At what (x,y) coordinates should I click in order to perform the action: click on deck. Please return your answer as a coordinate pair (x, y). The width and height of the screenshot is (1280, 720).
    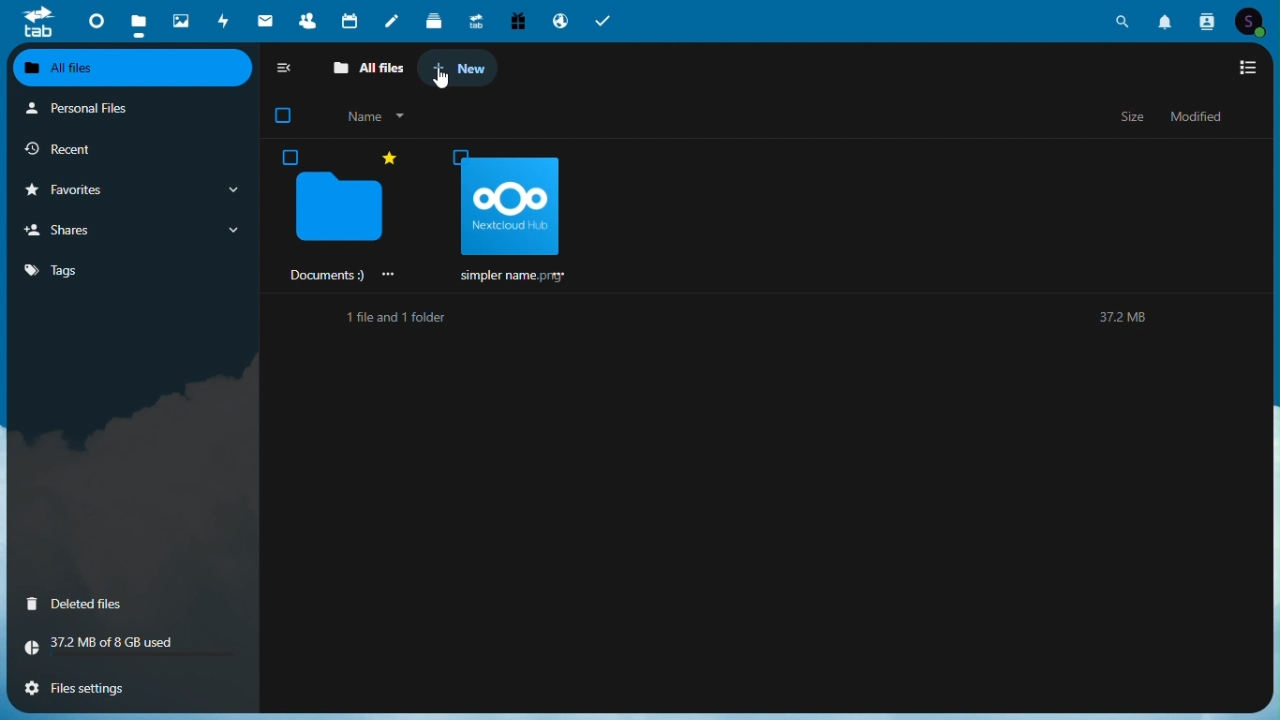
    Looking at the image, I should click on (435, 19).